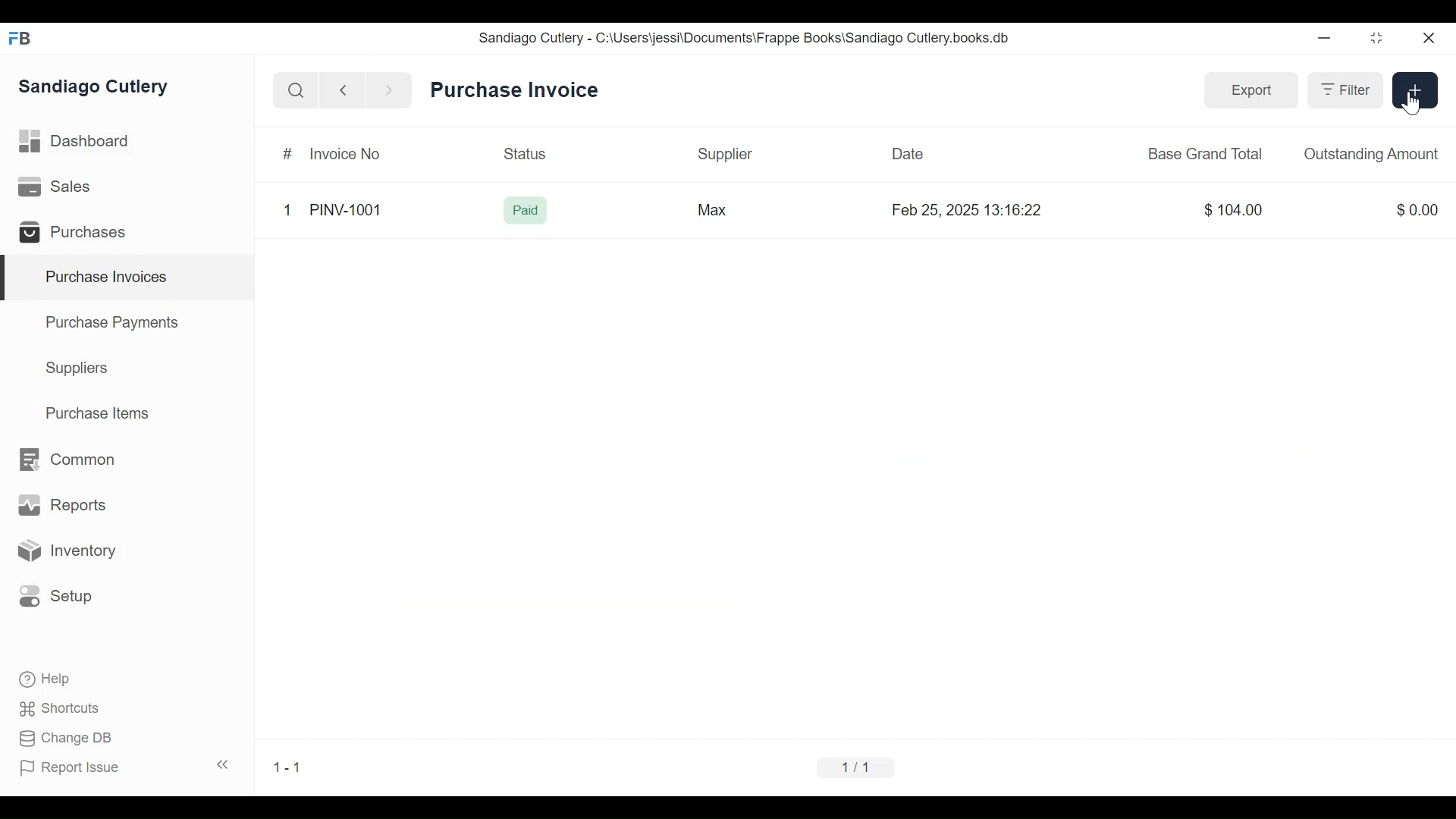 The width and height of the screenshot is (1456, 819). What do you see at coordinates (528, 211) in the screenshot?
I see `Paid` at bounding box center [528, 211].